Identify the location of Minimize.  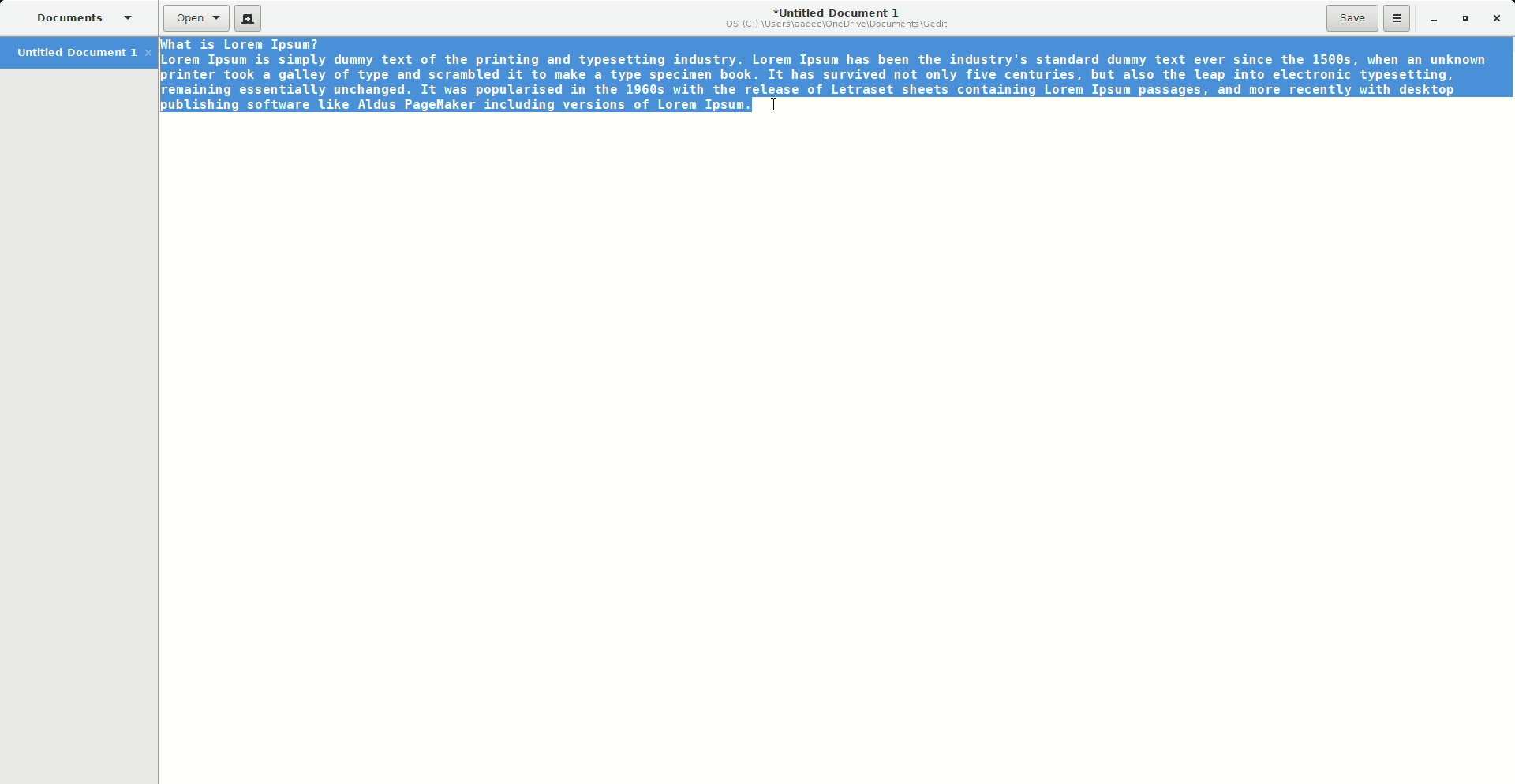
(1428, 18).